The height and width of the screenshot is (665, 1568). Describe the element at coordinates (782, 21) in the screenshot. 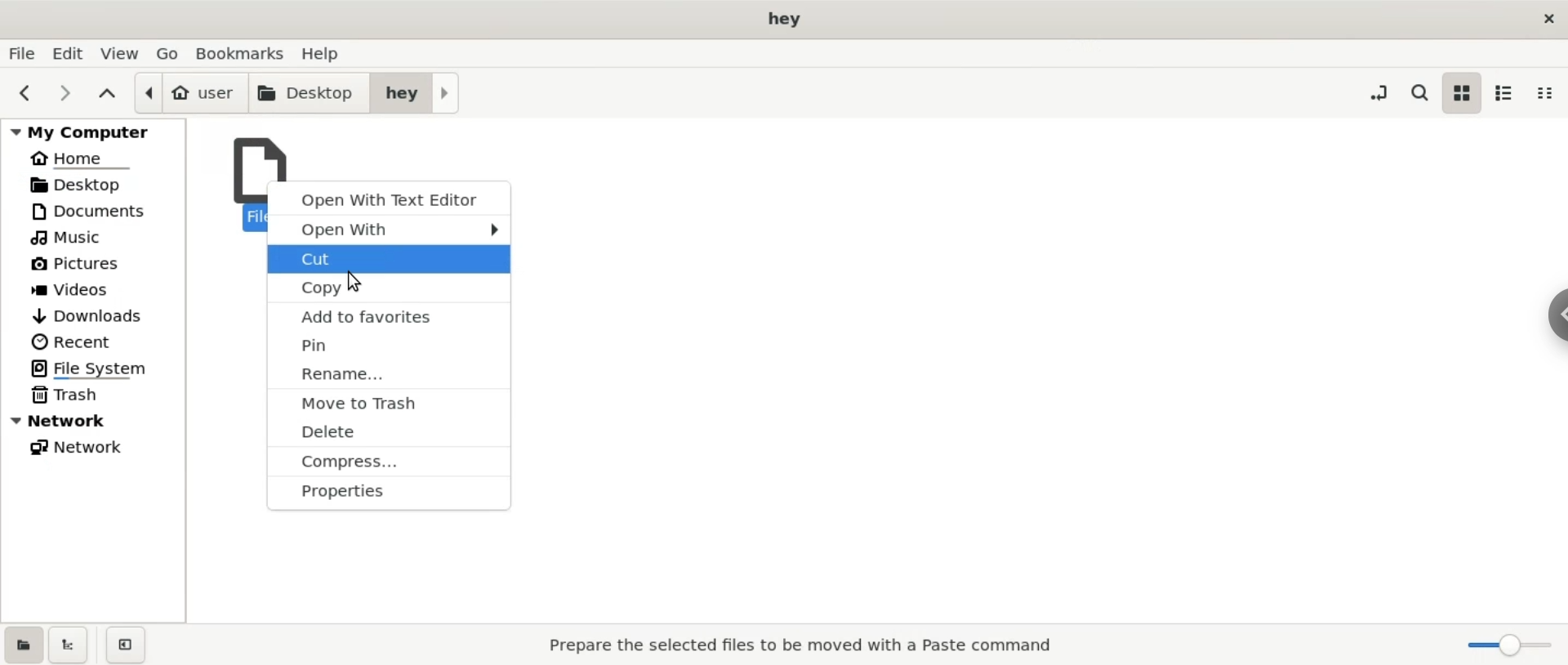

I see `title` at that location.